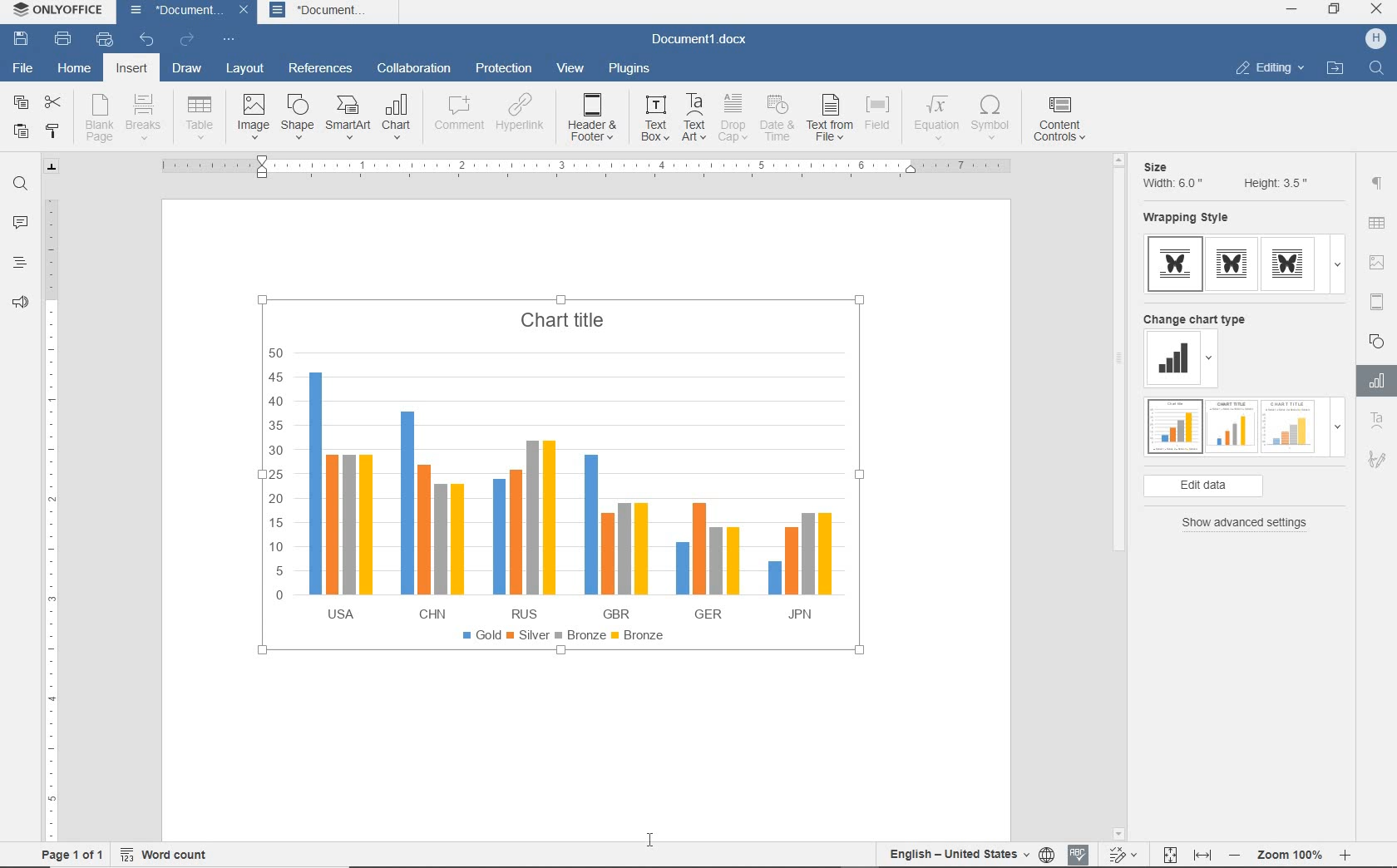 This screenshot has height=868, width=1397. What do you see at coordinates (582, 165) in the screenshot?
I see `ruler` at bounding box center [582, 165].